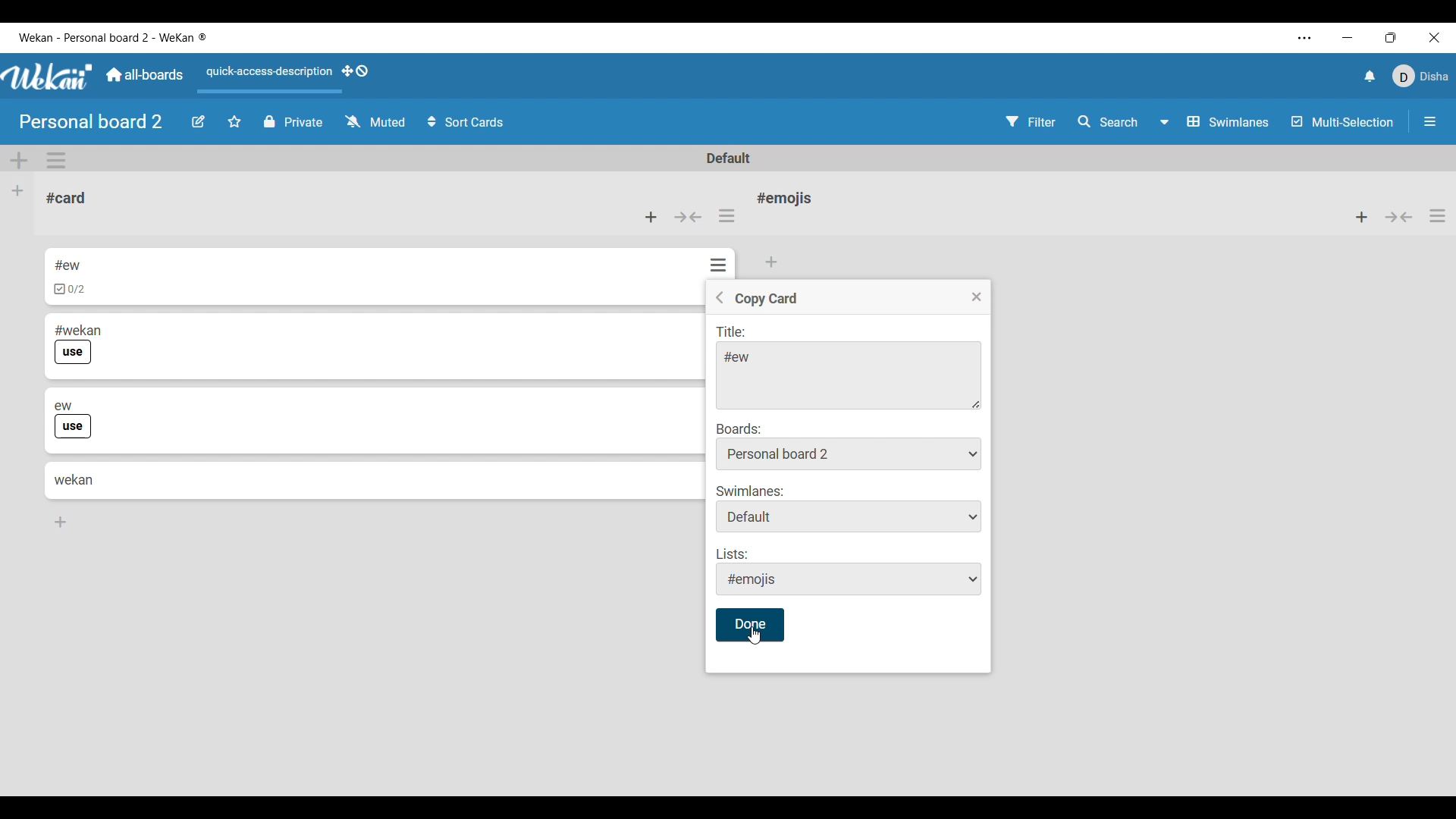  What do you see at coordinates (1438, 215) in the screenshot?
I see `List actions` at bounding box center [1438, 215].